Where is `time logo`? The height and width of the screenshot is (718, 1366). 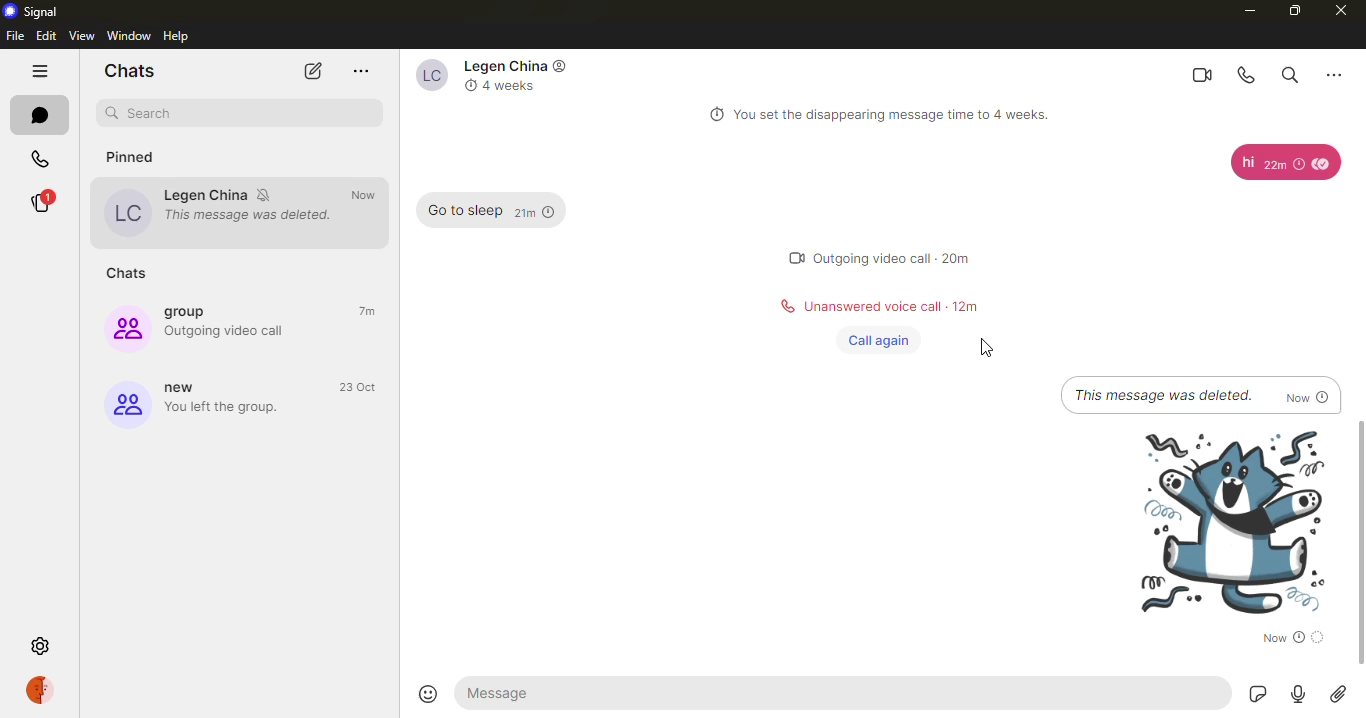 time logo is located at coordinates (711, 115).